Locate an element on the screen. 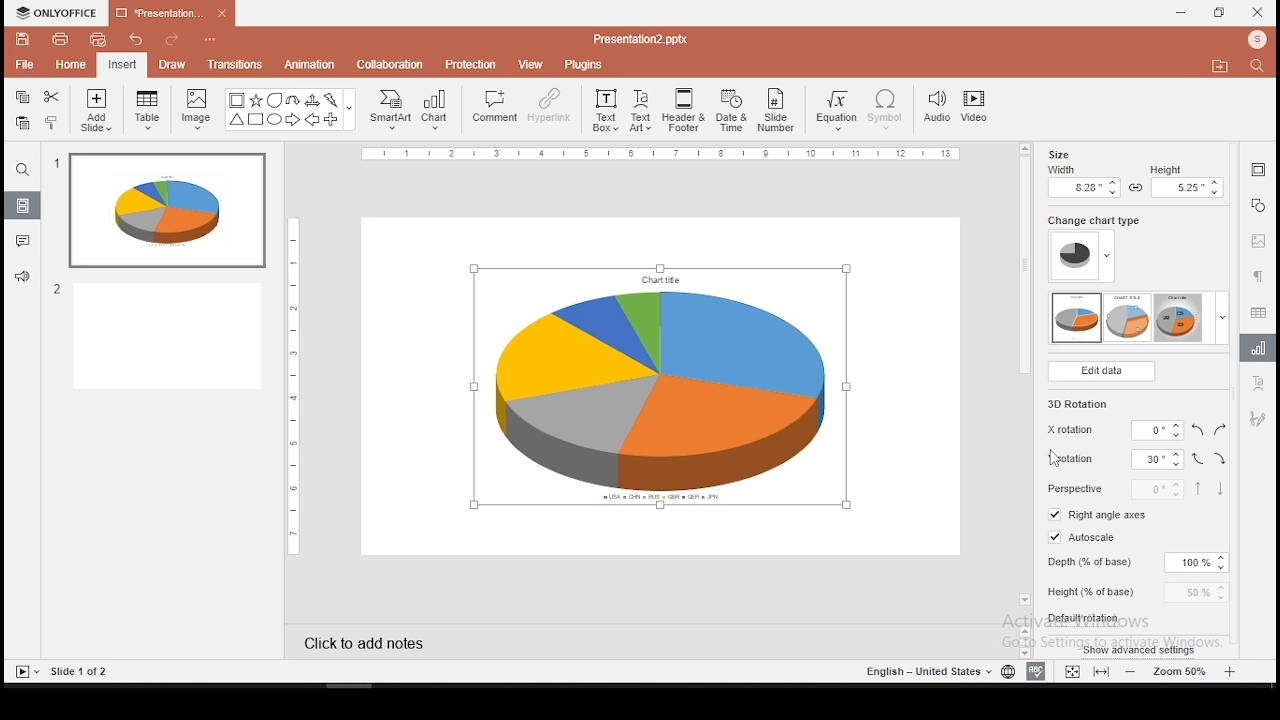  text art tool is located at coordinates (1257, 382).